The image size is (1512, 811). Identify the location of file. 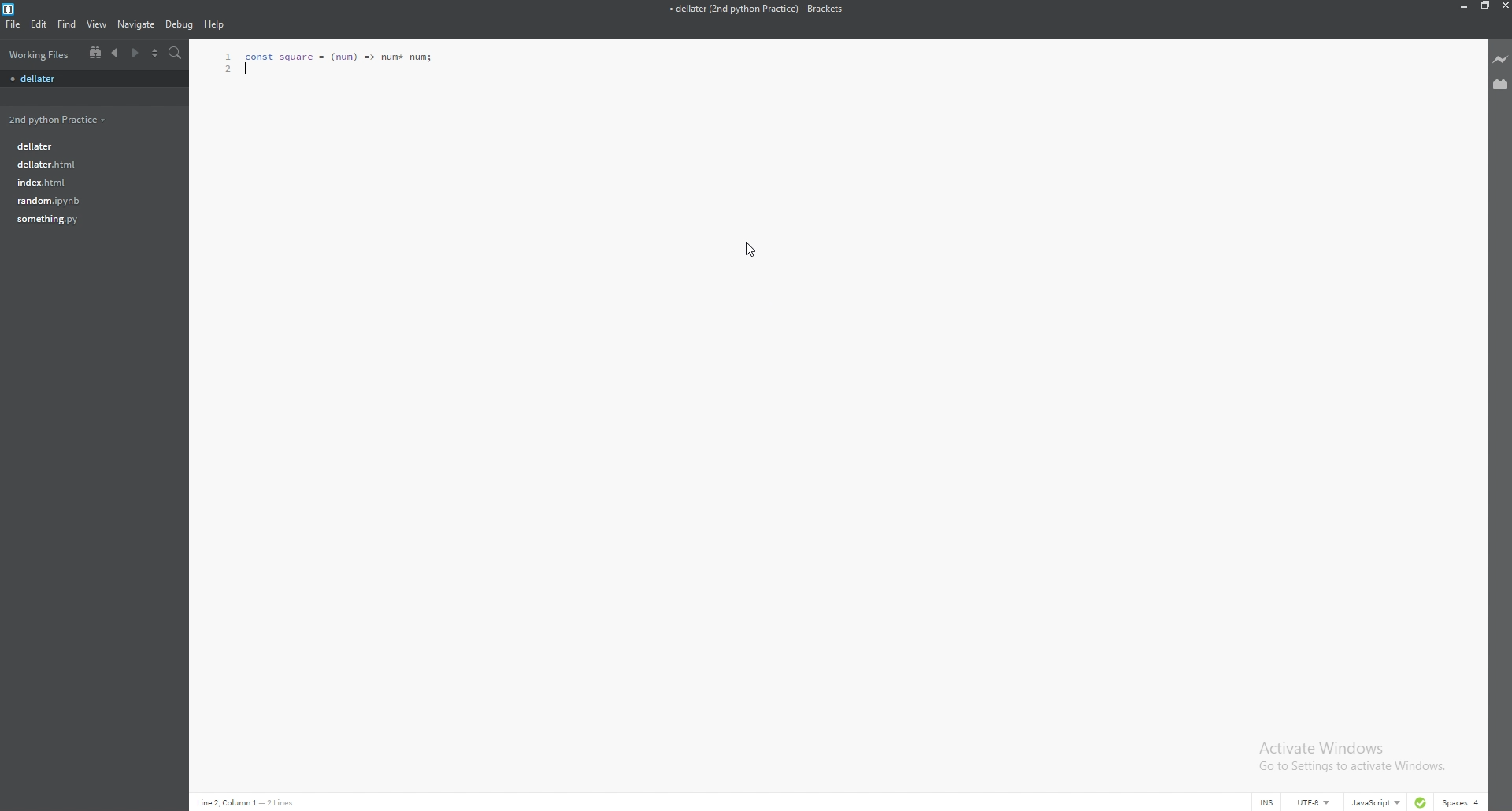
(91, 80).